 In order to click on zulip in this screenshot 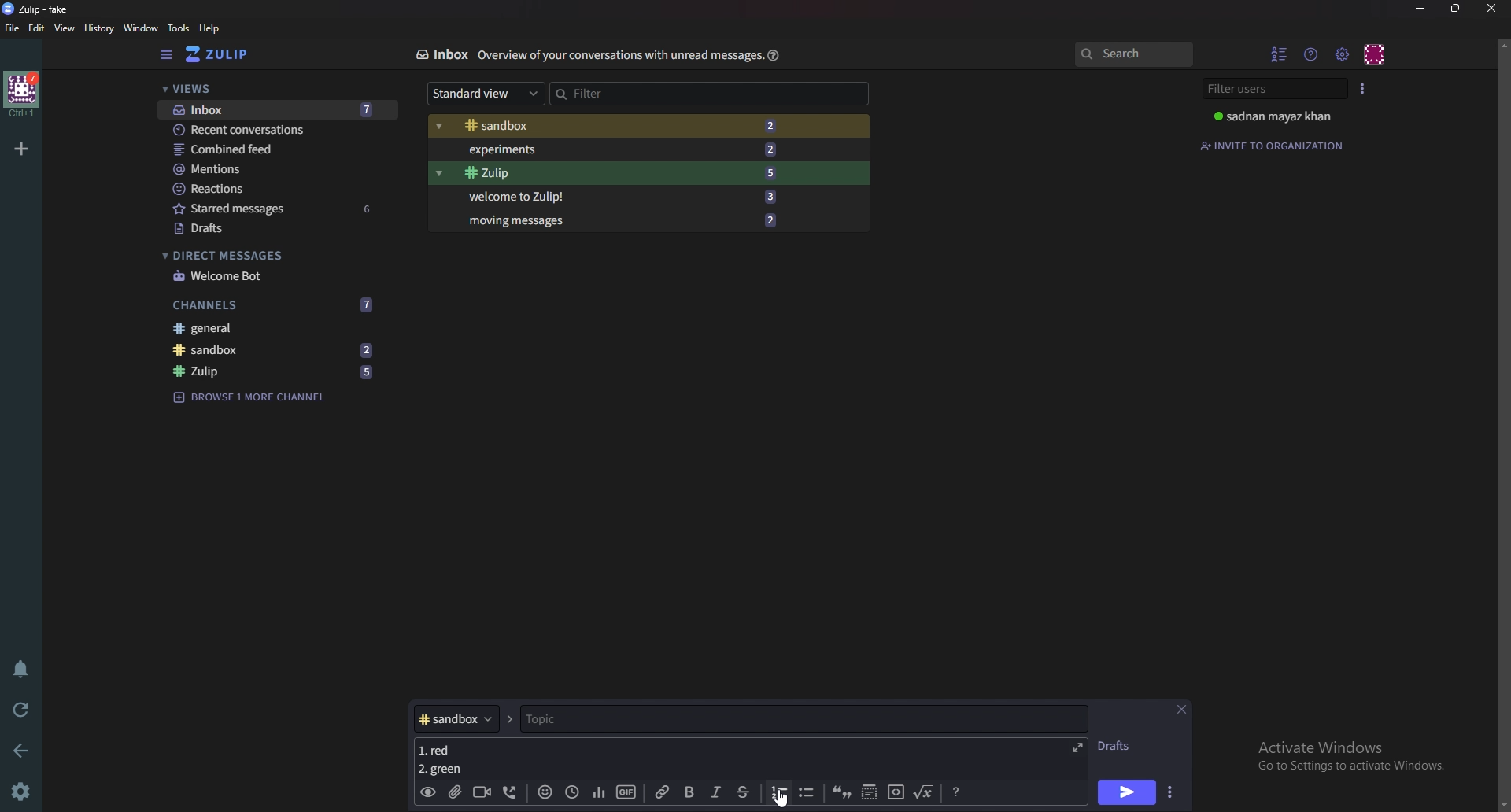, I will do `click(279, 372)`.